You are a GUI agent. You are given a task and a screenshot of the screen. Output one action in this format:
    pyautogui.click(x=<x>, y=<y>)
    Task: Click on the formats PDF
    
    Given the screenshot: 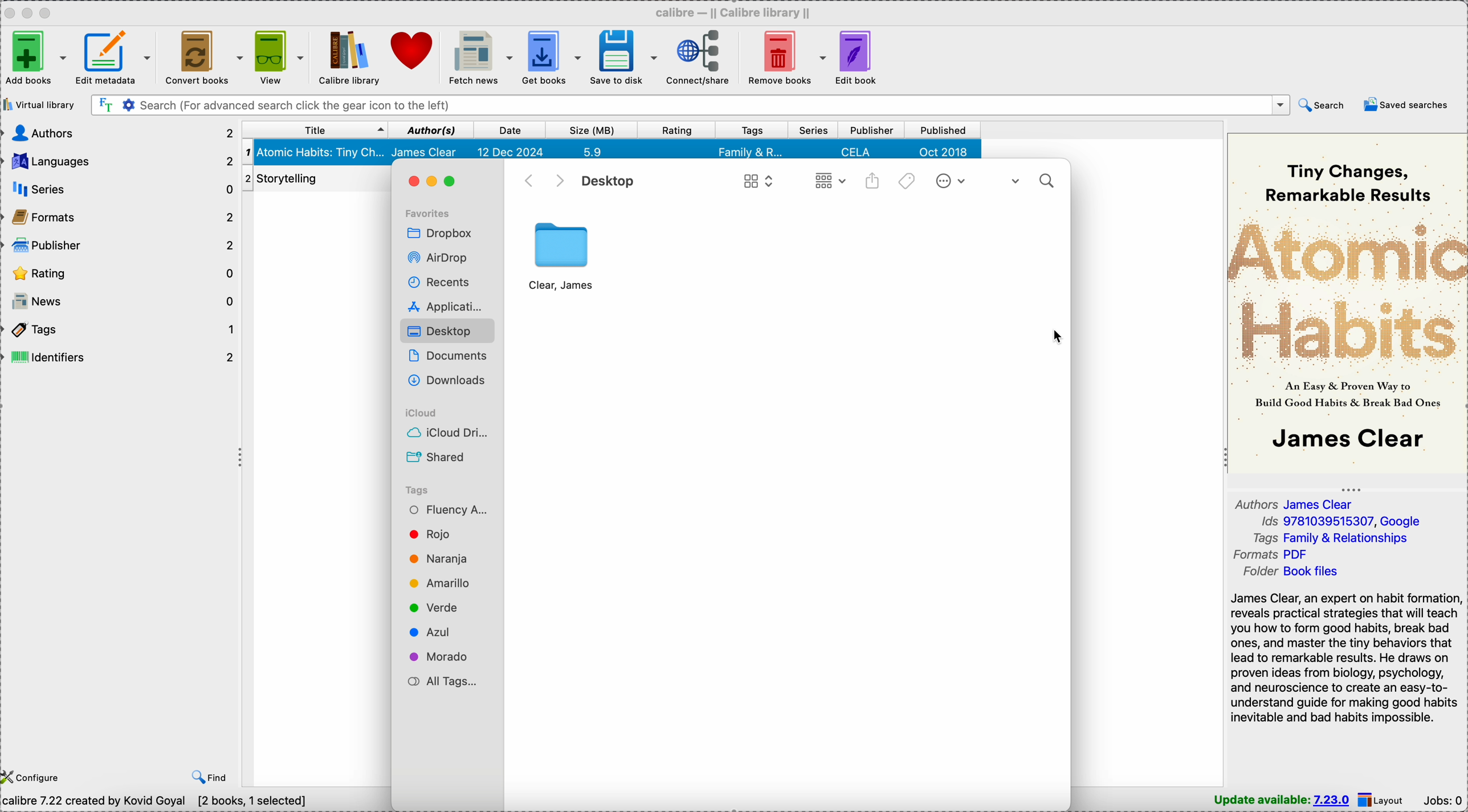 What is the action you would take?
    pyautogui.click(x=1270, y=554)
    